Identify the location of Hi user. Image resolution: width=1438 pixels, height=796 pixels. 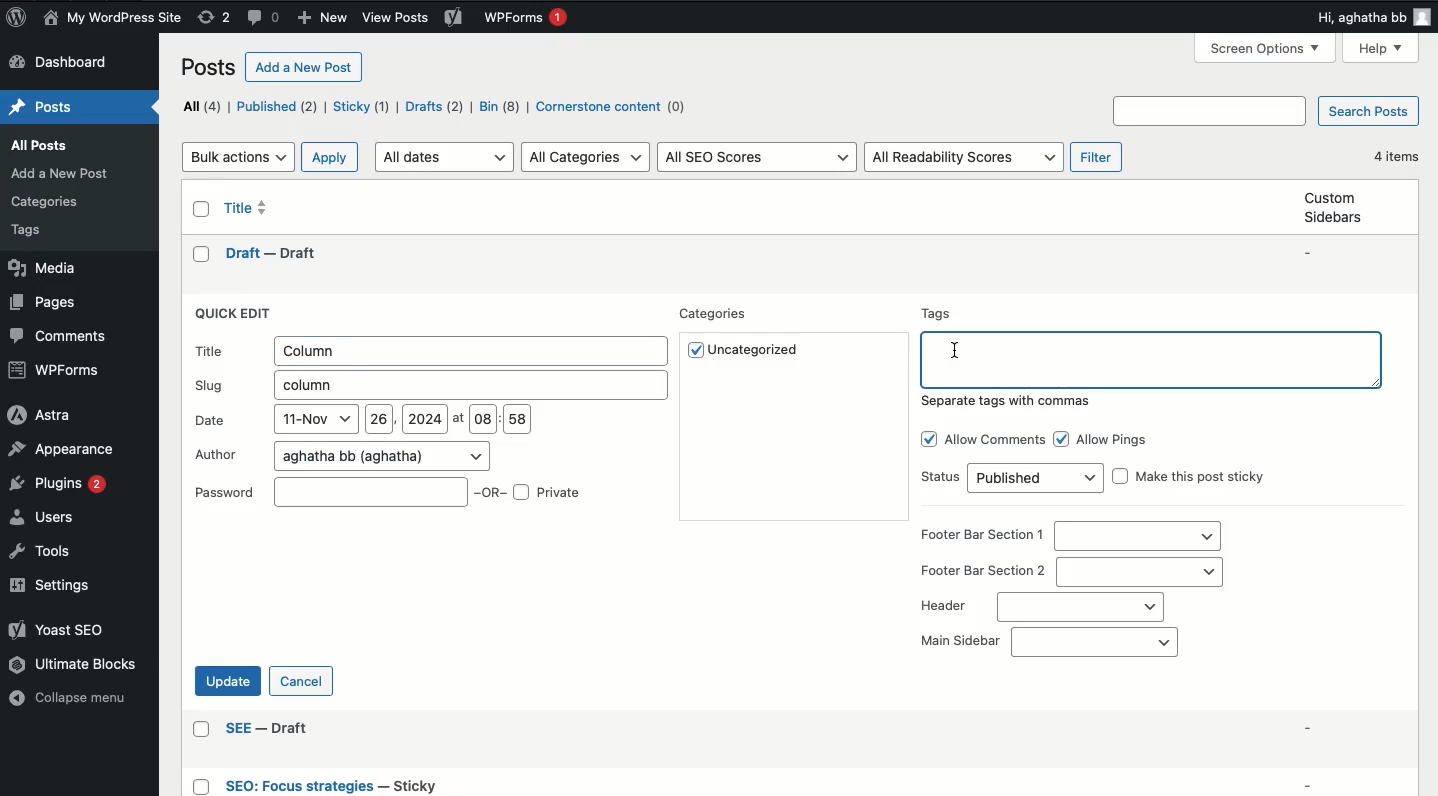
(1373, 17).